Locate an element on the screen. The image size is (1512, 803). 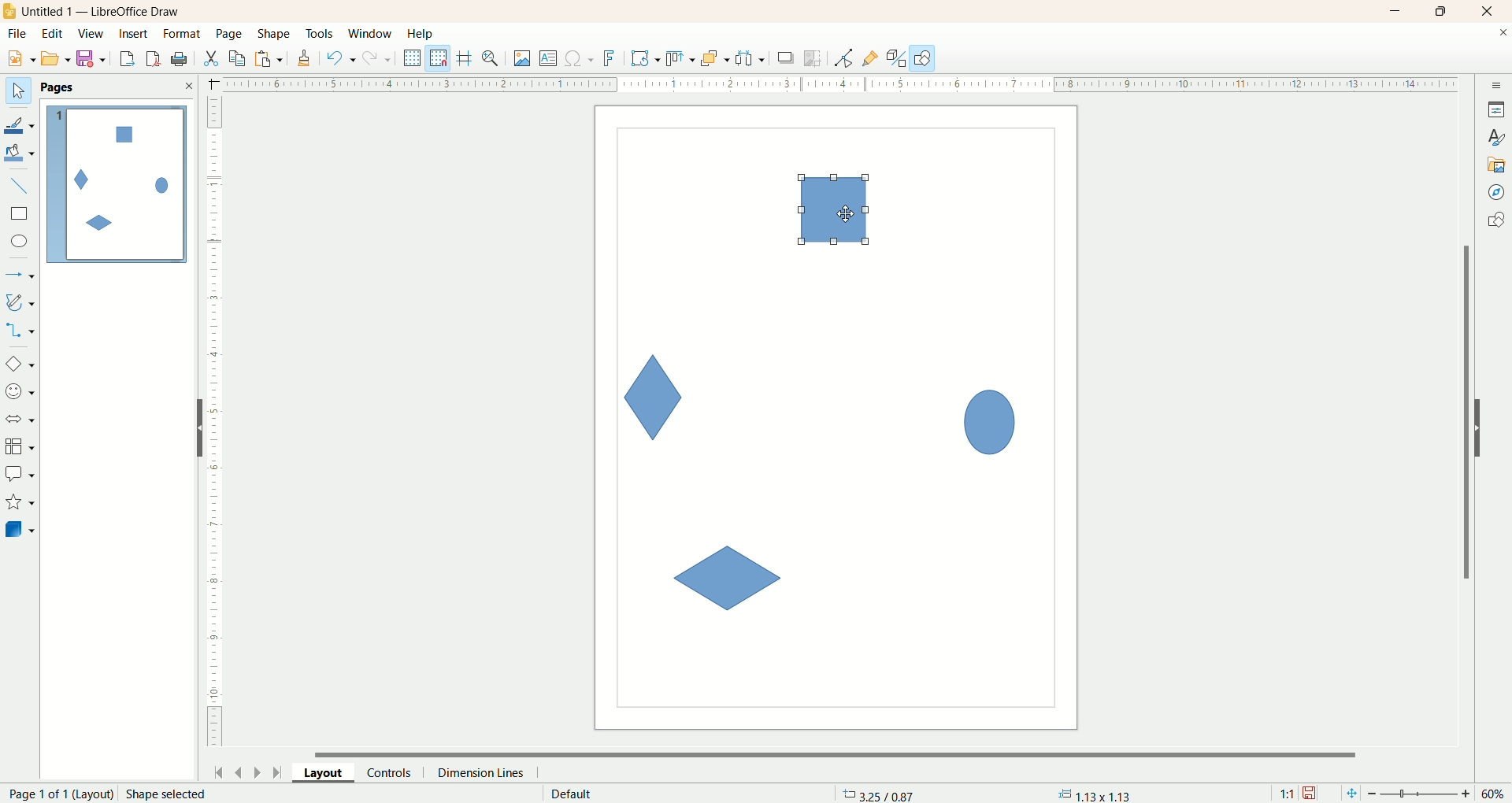
hide is located at coordinates (1486, 425).